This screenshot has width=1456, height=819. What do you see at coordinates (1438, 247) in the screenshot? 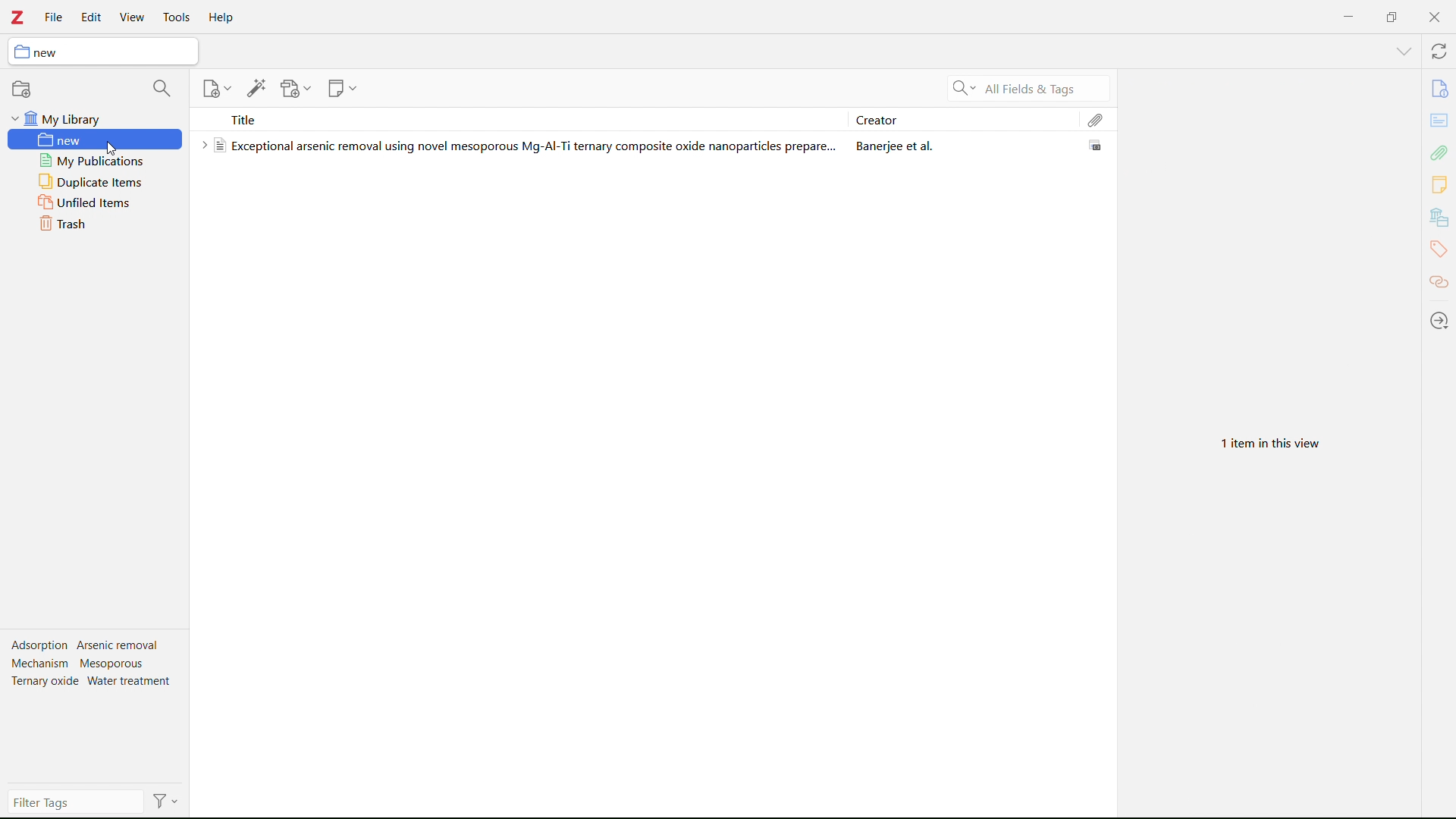
I see `tags` at bounding box center [1438, 247].